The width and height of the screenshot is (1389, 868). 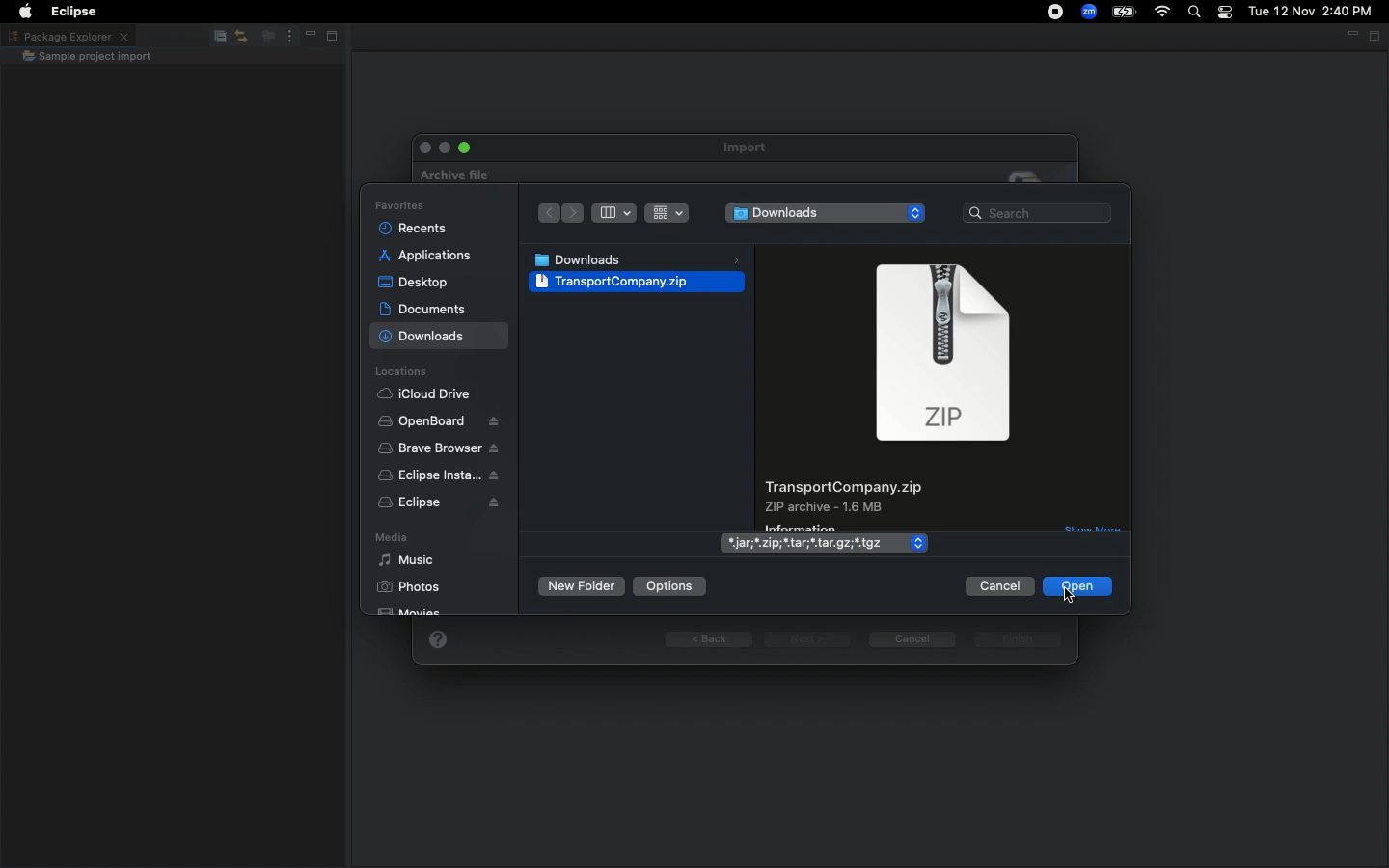 I want to click on Applications, so click(x=424, y=257).